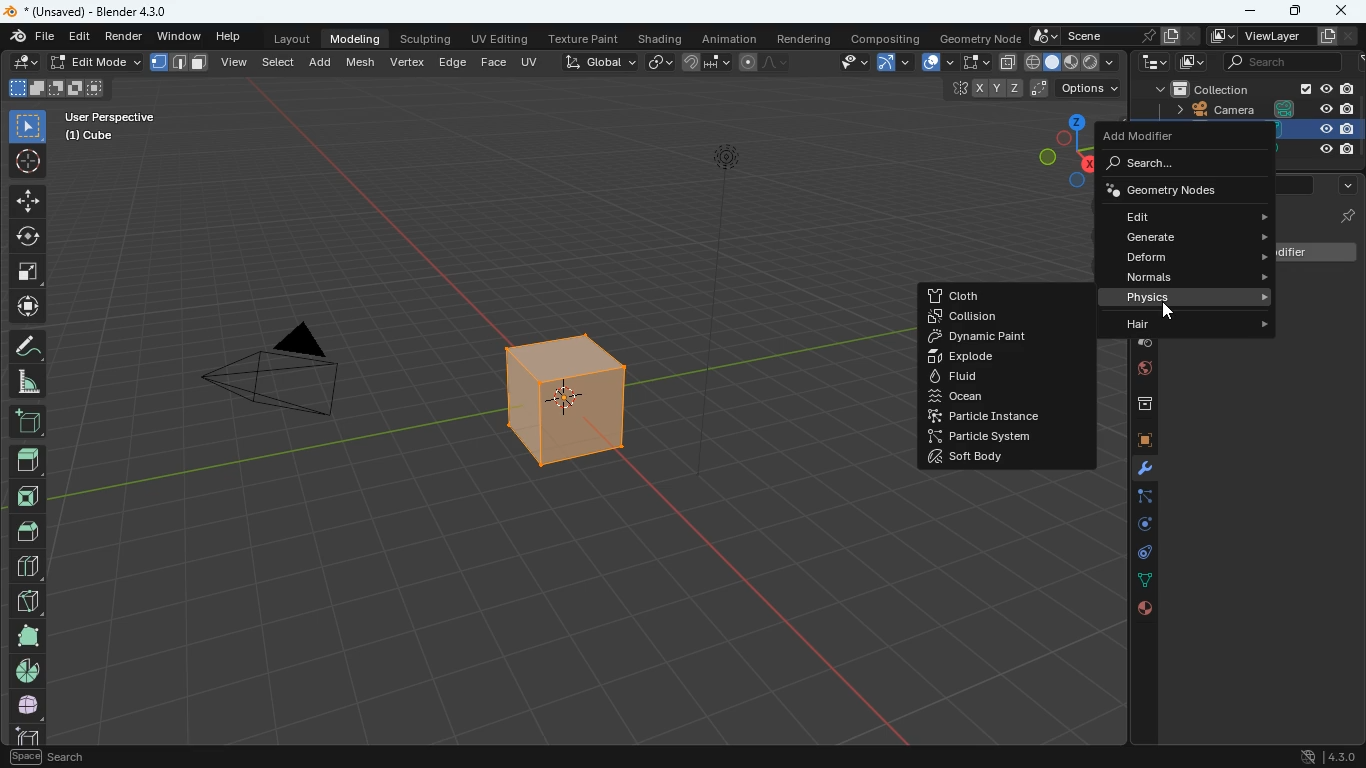  What do you see at coordinates (1137, 526) in the screenshot?
I see `rotation` at bounding box center [1137, 526].